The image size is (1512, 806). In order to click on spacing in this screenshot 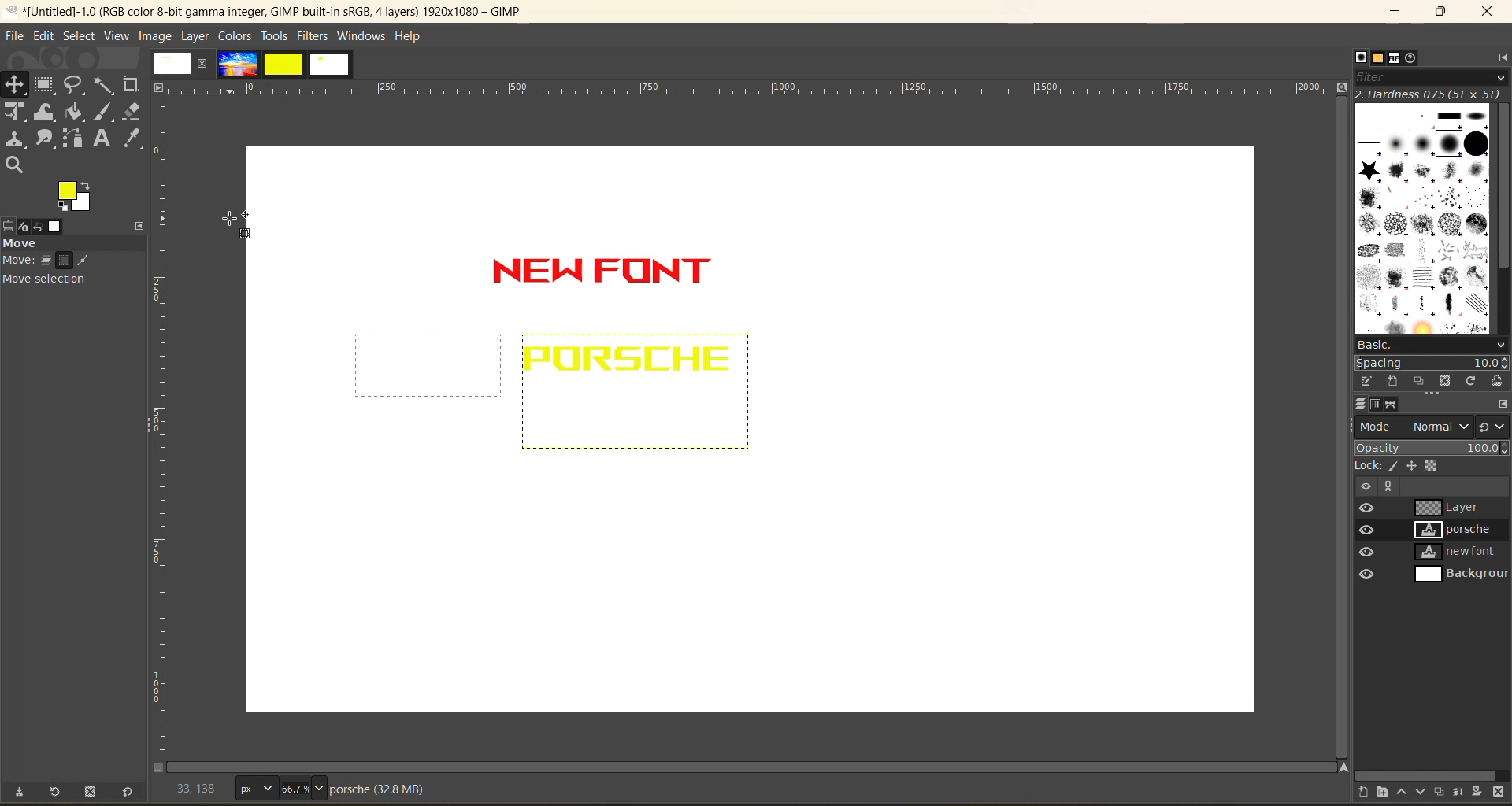, I will do `click(1432, 362)`.